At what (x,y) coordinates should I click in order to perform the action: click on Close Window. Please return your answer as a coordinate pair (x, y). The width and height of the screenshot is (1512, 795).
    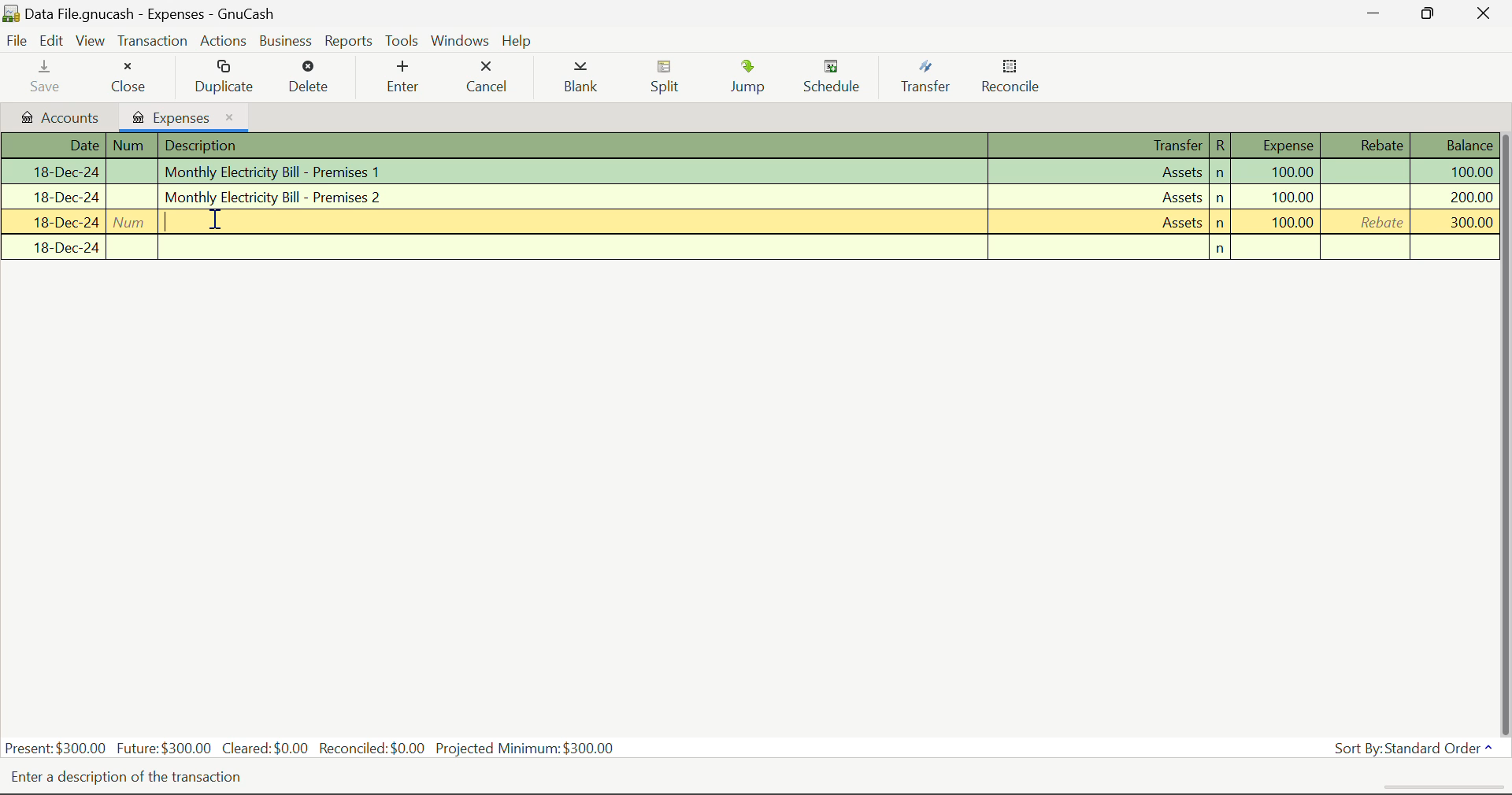
    Looking at the image, I should click on (1484, 14).